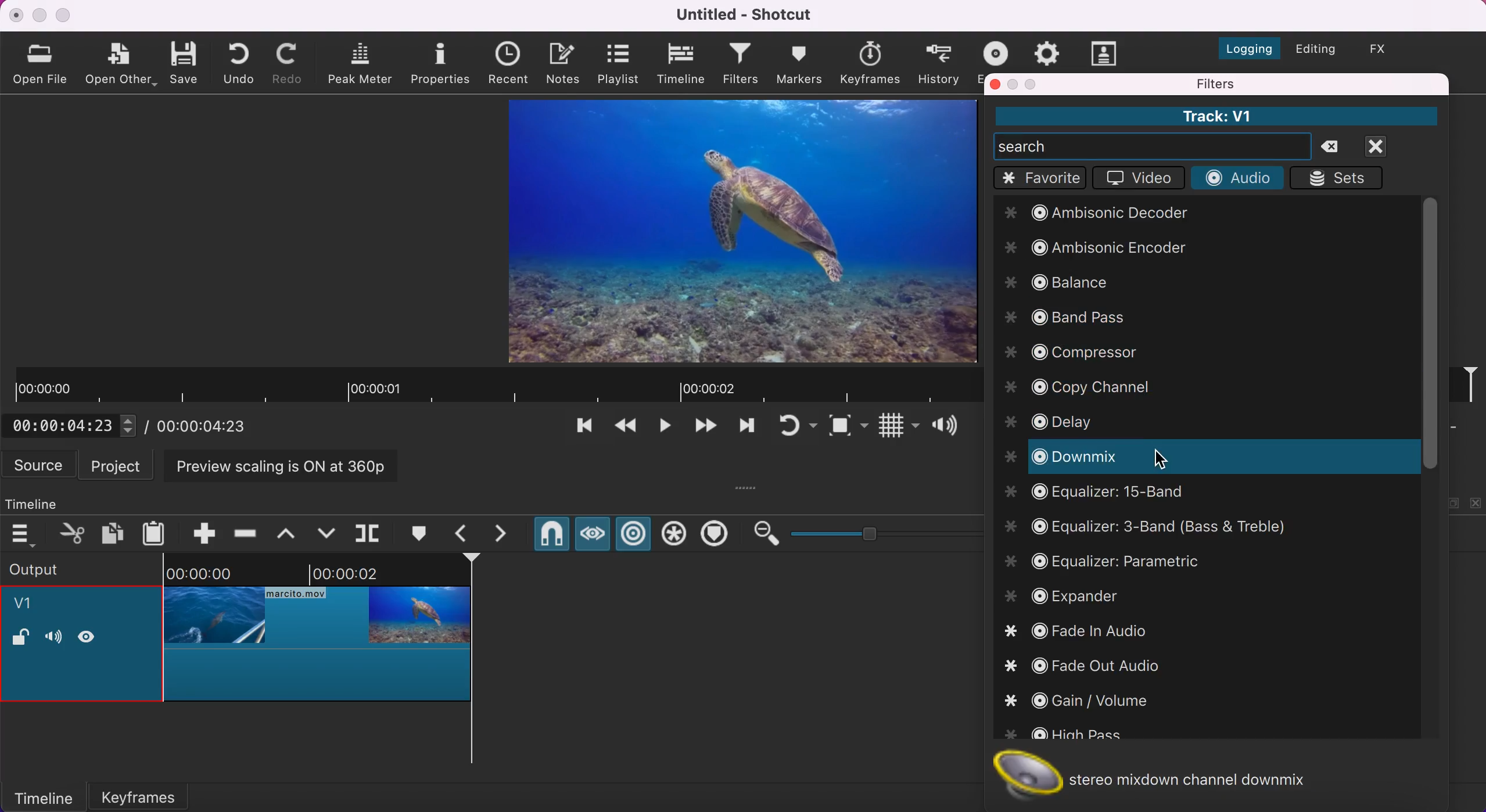 This screenshot has height=812, width=1486. What do you see at coordinates (186, 62) in the screenshot?
I see `save` at bounding box center [186, 62].